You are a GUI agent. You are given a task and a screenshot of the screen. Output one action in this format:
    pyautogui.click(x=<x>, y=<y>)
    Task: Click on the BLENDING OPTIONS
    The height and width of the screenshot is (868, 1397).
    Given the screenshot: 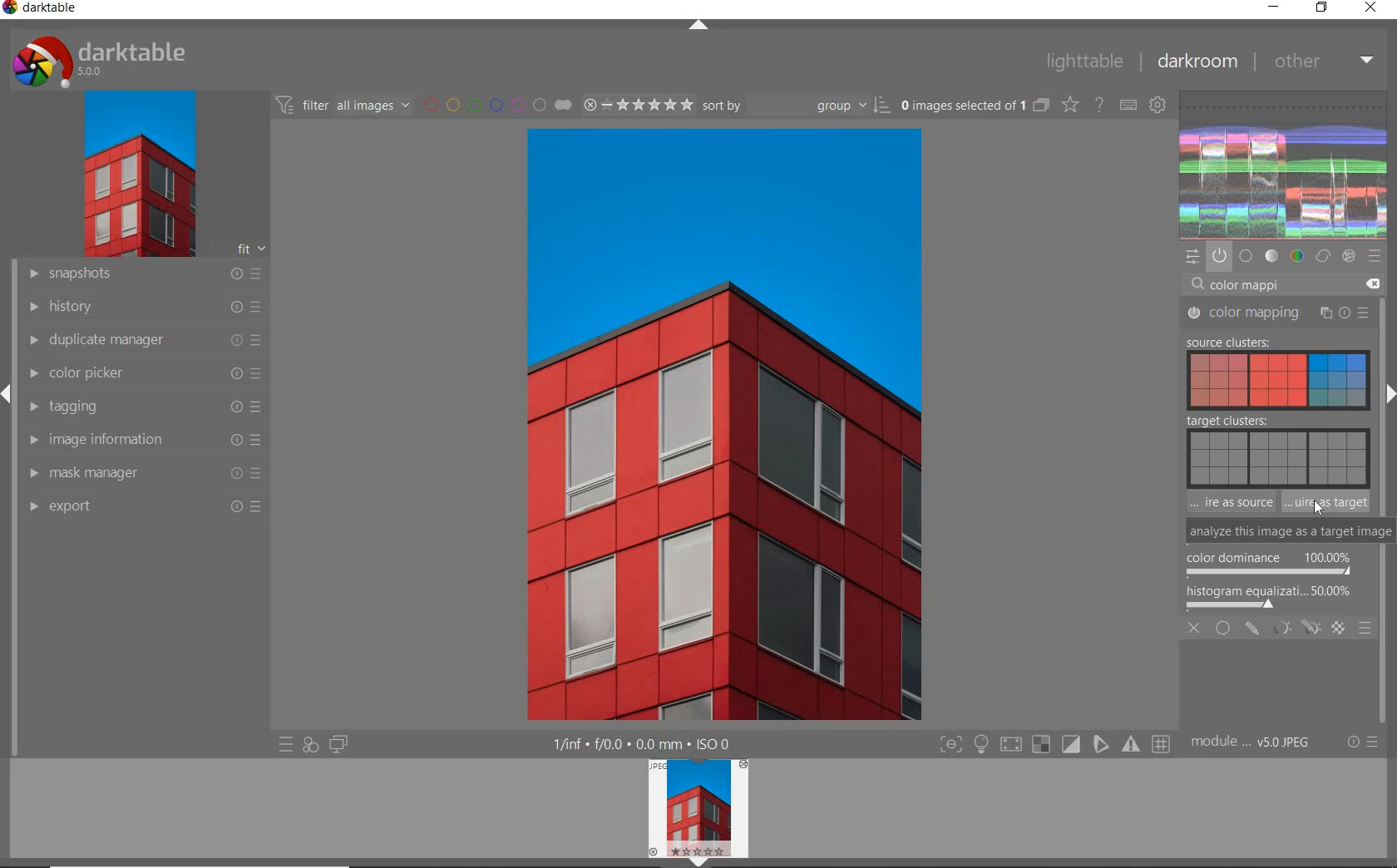 What is the action you would take?
    pyautogui.click(x=1365, y=629)
    